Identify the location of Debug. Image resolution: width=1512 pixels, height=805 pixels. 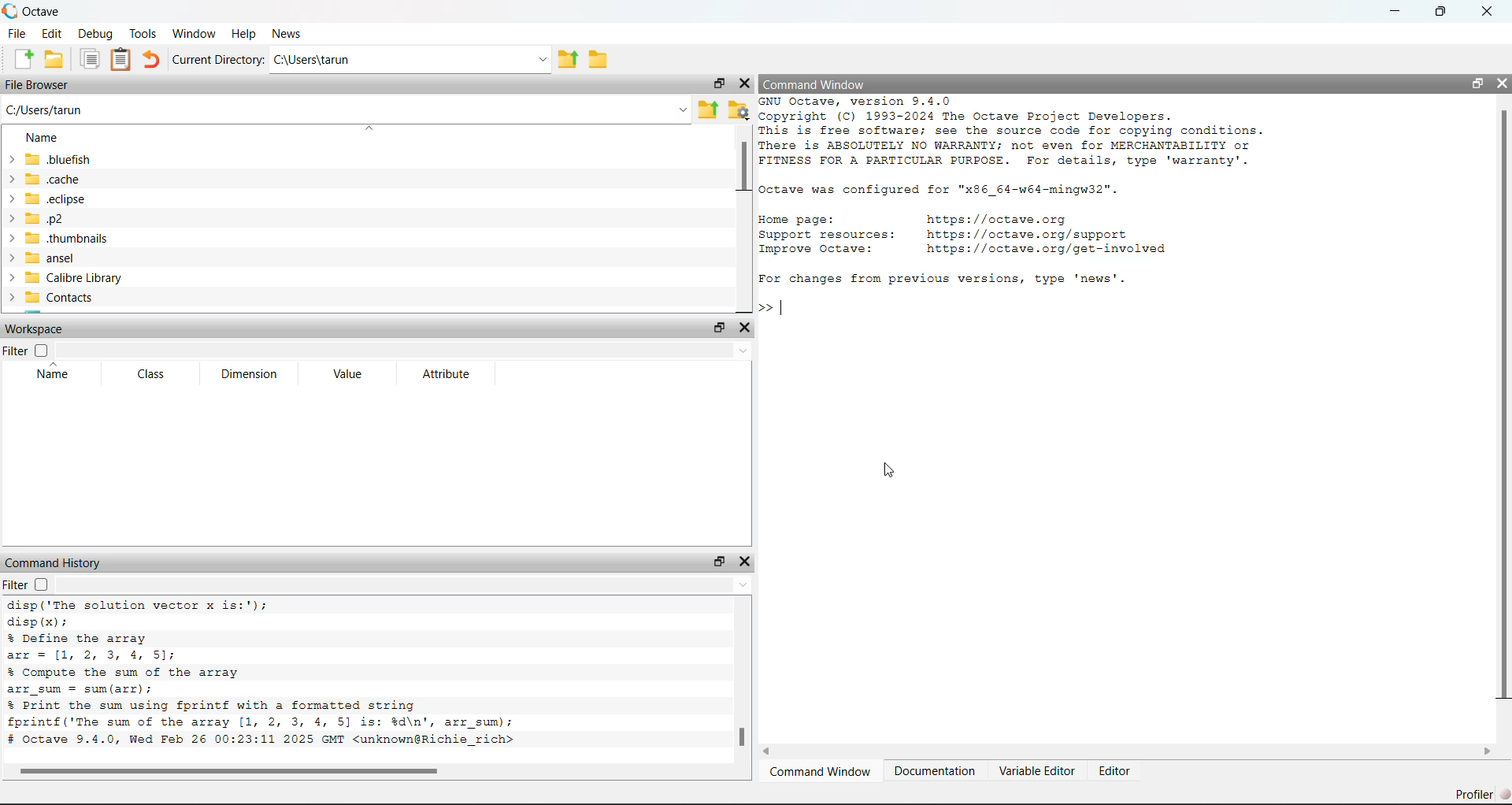
(96, 34).